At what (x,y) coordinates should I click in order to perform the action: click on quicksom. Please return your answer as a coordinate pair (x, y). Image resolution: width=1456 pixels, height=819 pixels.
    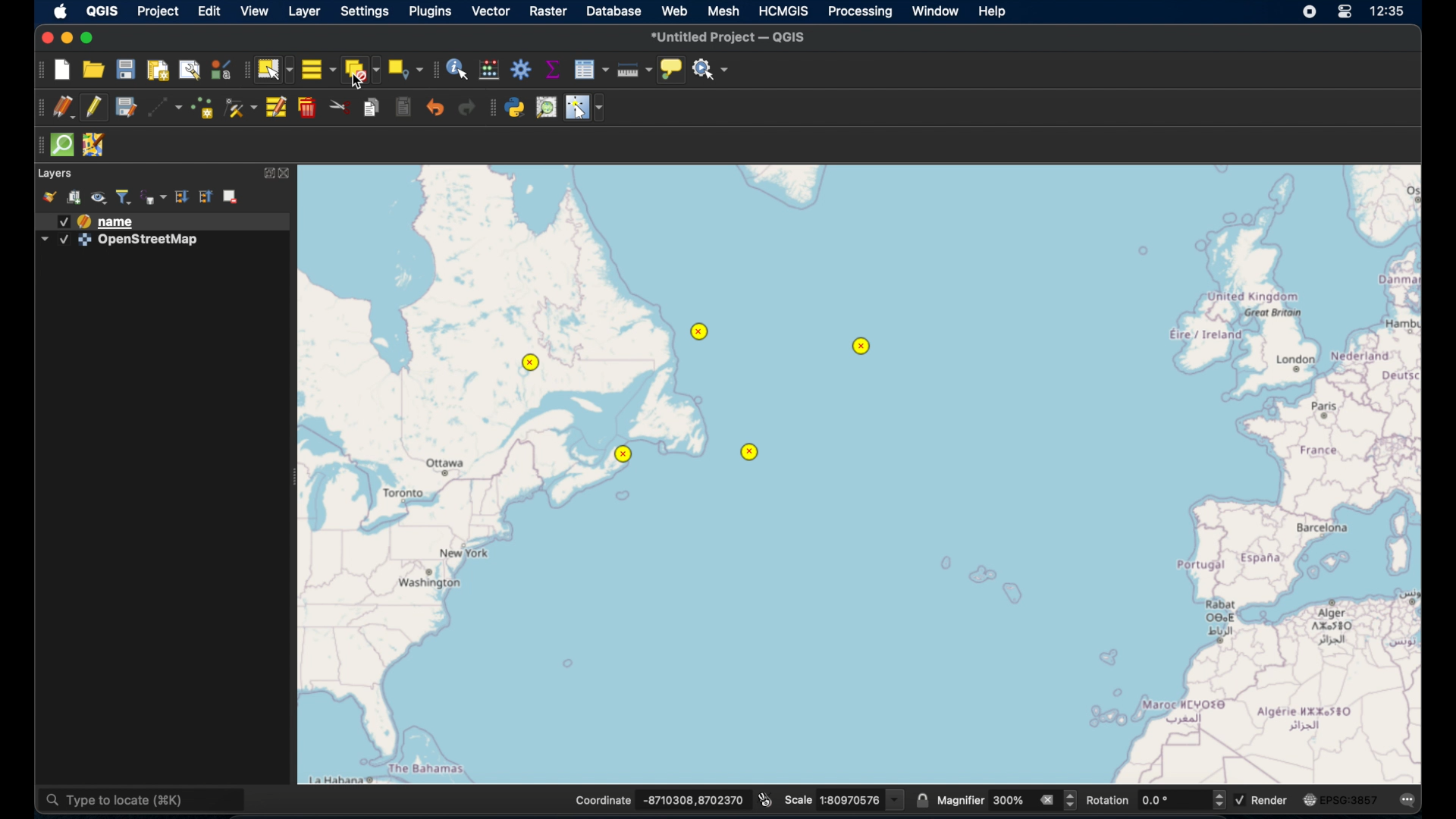
    Looking at the image, I should click on (61, 145).